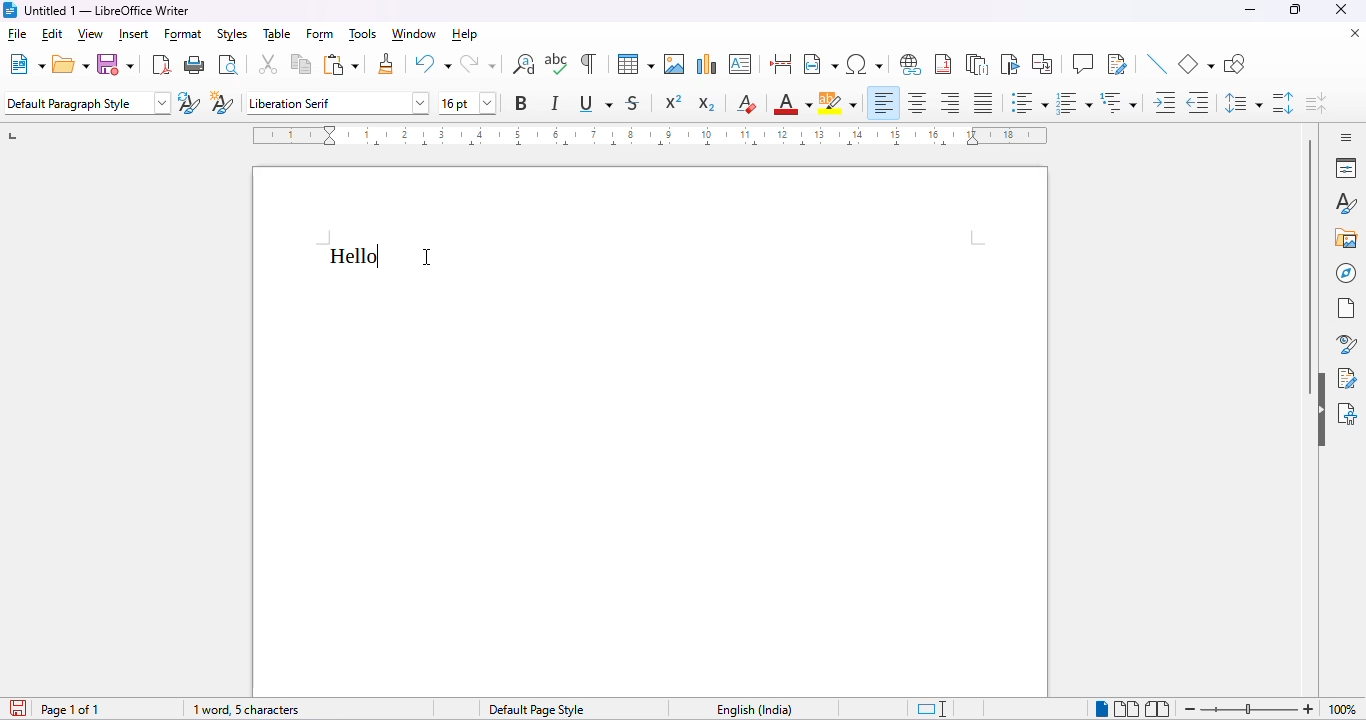  Describe the element at coordinates (9, 10) in the screenshot. I see `logo` at that location.